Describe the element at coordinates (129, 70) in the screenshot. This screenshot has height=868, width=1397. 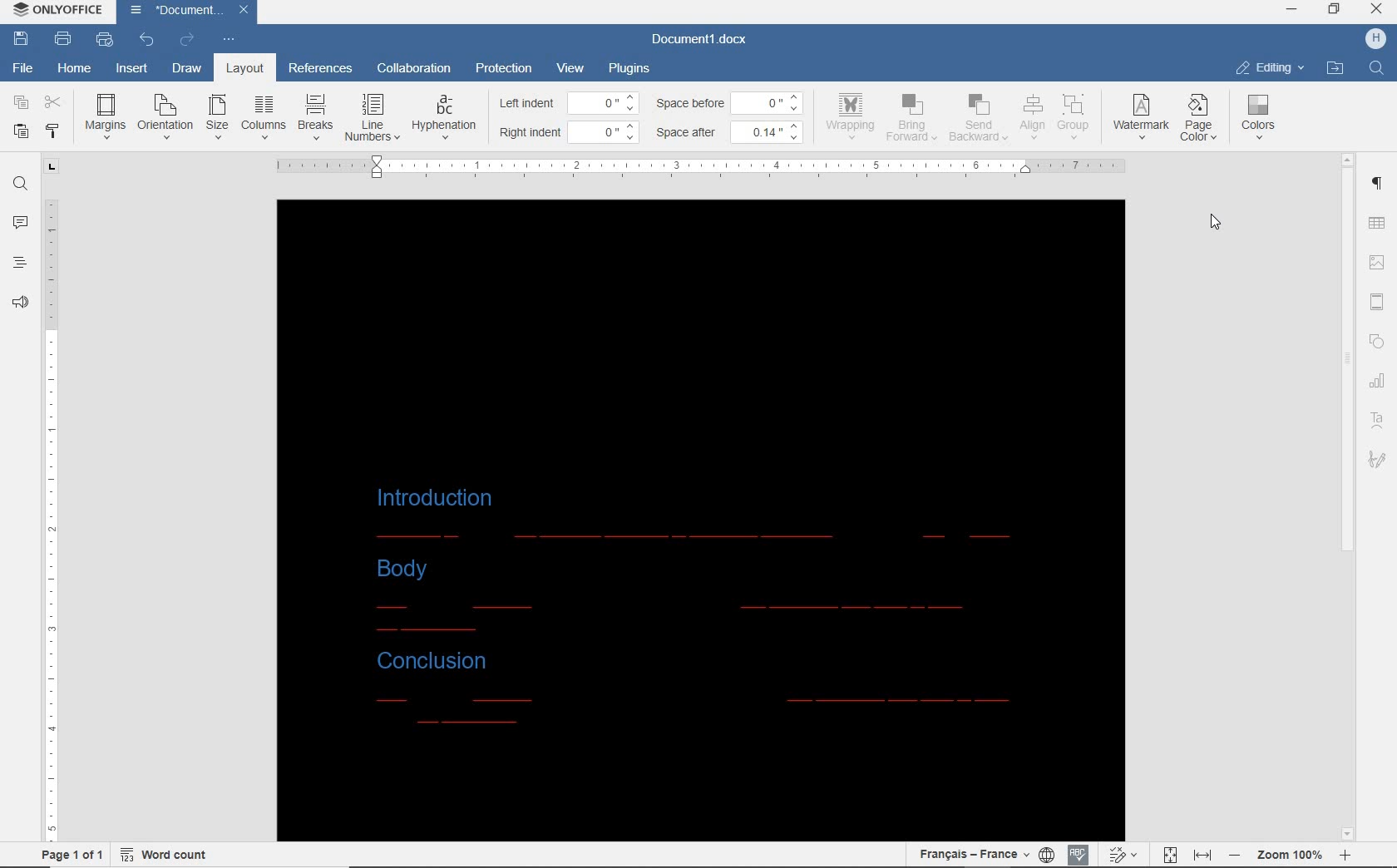
I see `insert` at that location.